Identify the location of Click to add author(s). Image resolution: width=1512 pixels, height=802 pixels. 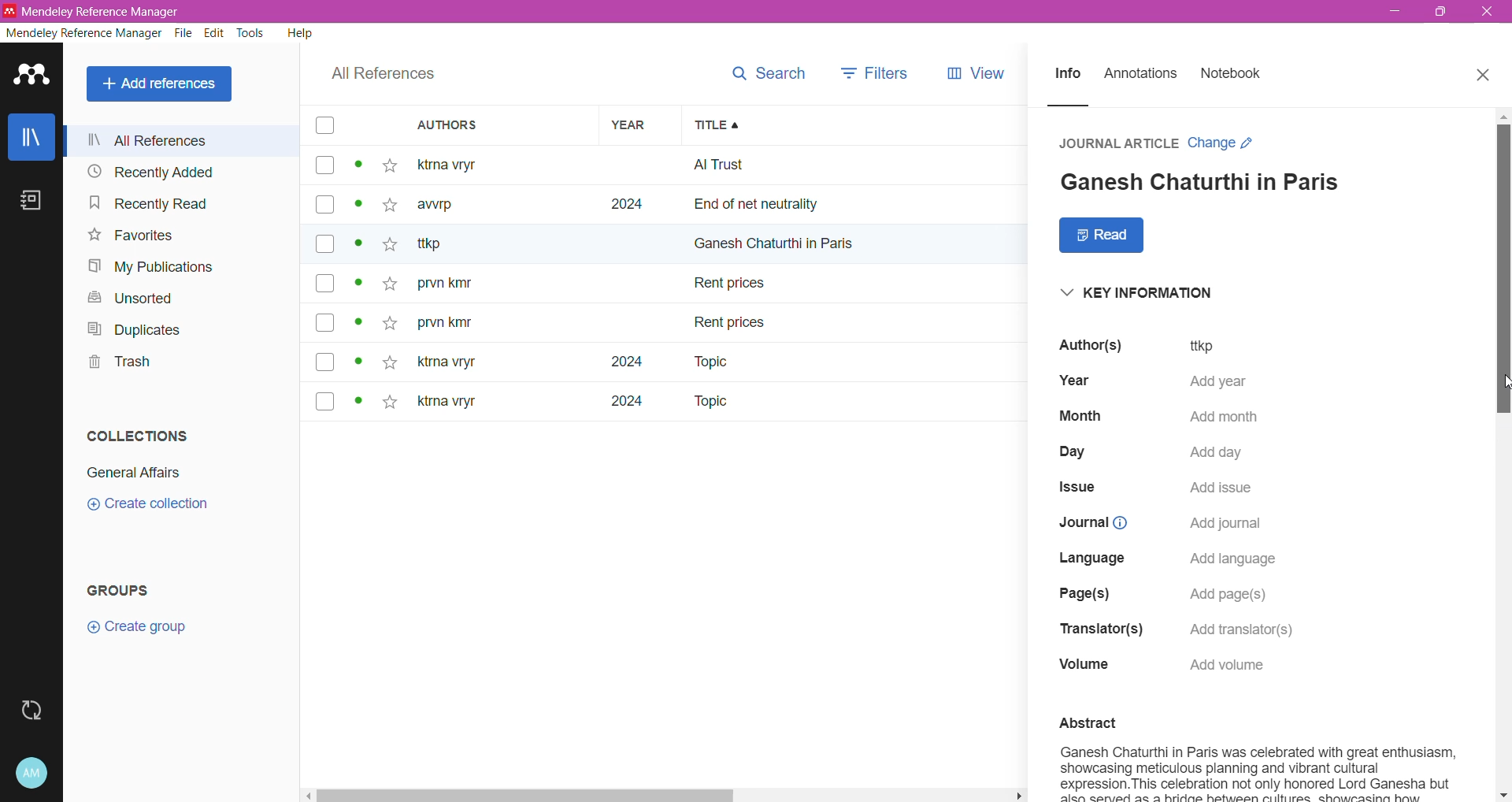
(1222, 345).